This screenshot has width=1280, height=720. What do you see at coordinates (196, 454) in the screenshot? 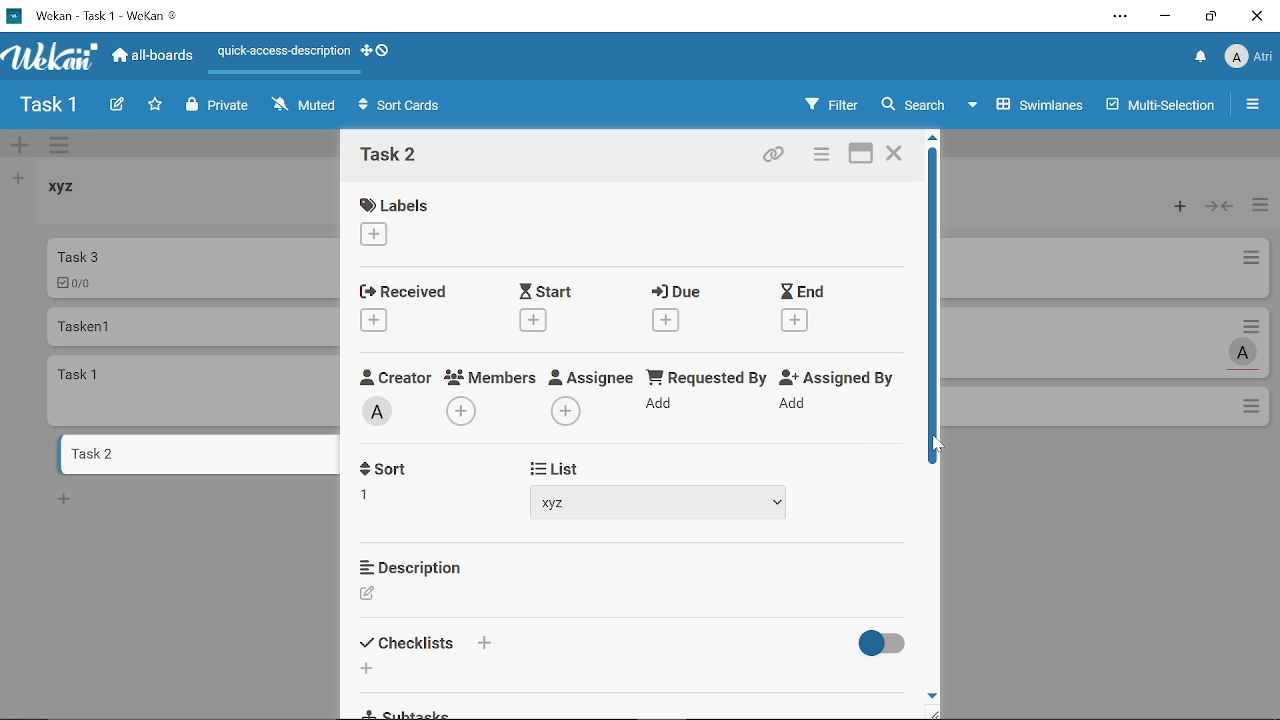
I see `Card named "task 2"` at bounding box center [196, 454].